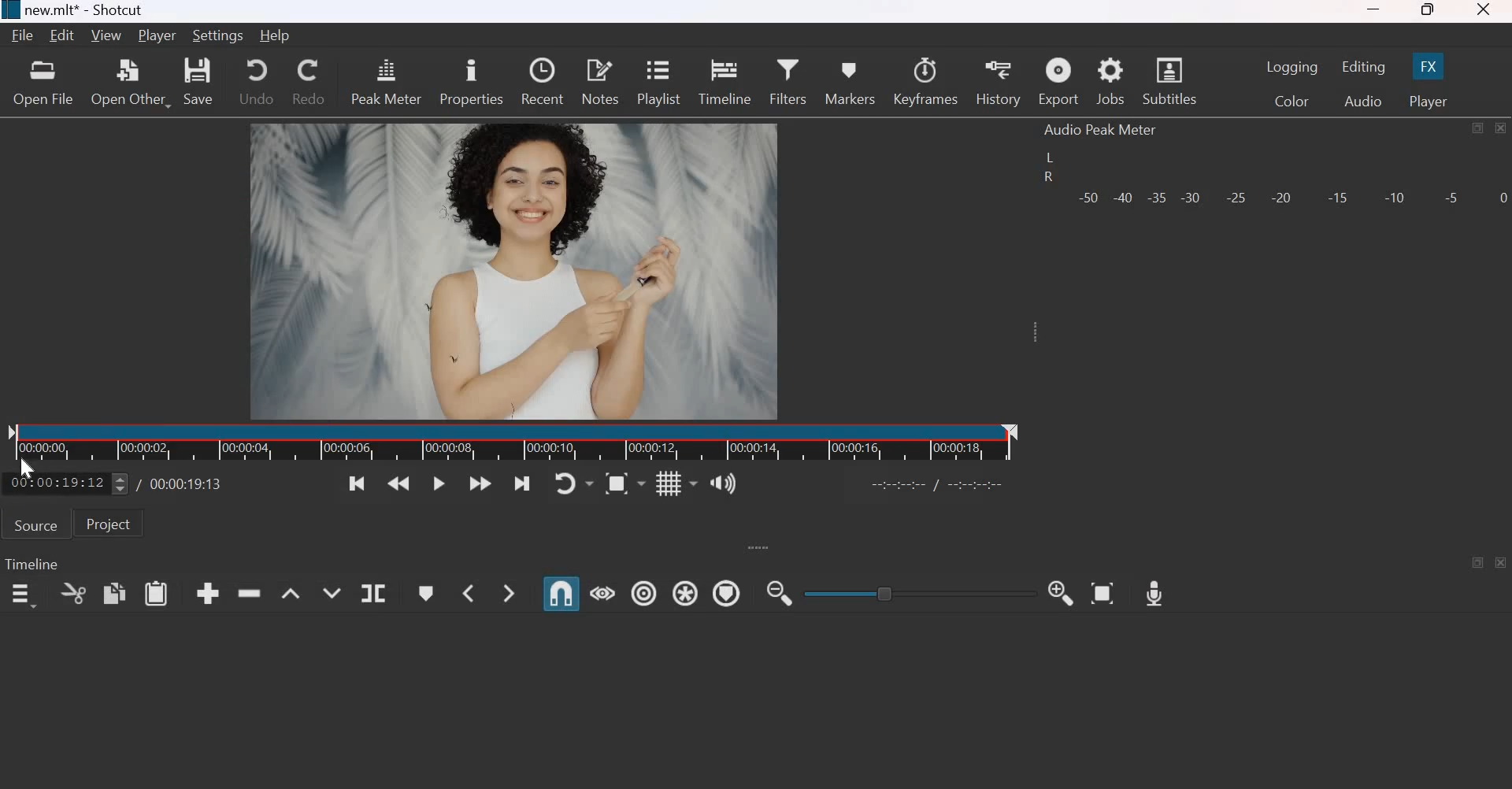 This screenshot has height=789, width=1512. Describe the element at coordinates (1295, 102) in the screenshot. I see `Color` at that location.